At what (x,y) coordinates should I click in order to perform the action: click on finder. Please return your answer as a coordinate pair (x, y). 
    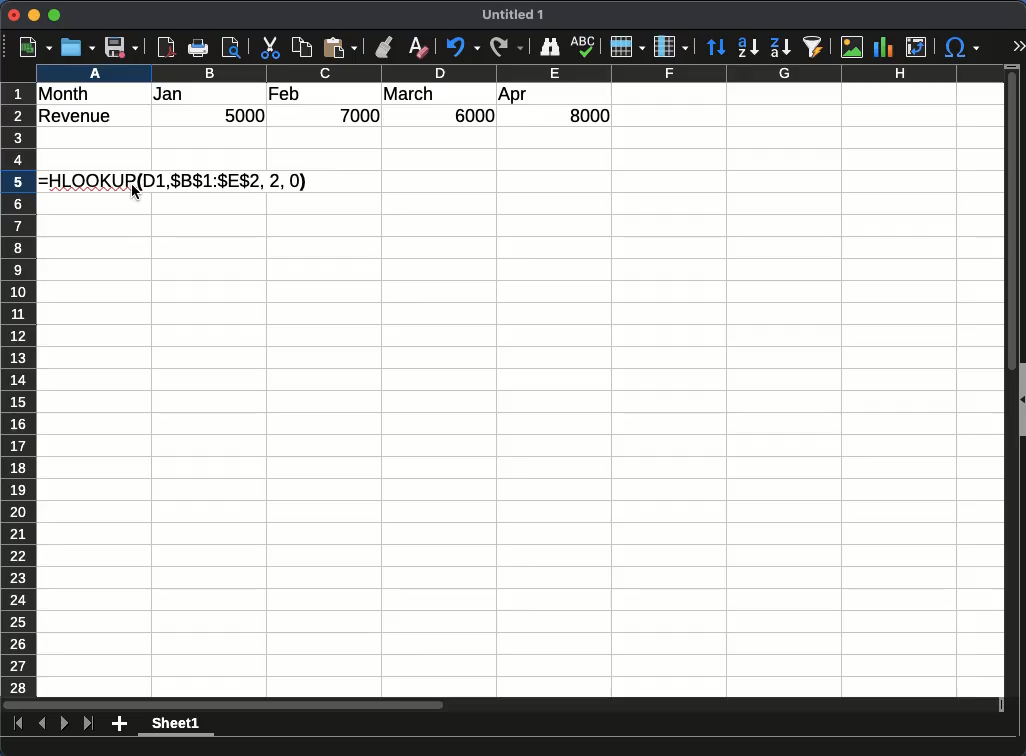
    Looking at the image, I should click on (548, 47).